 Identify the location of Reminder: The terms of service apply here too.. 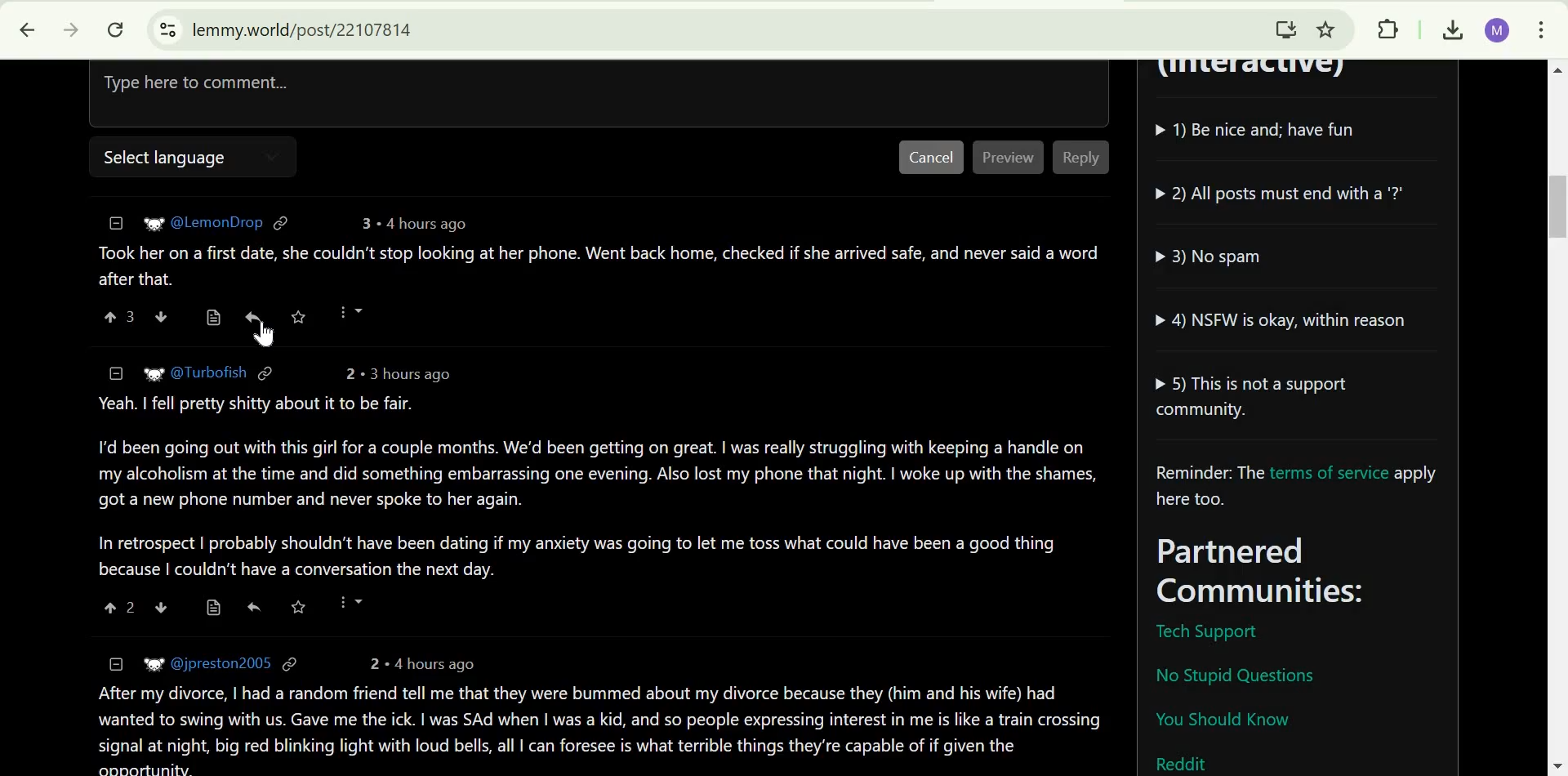
(1302, 484).